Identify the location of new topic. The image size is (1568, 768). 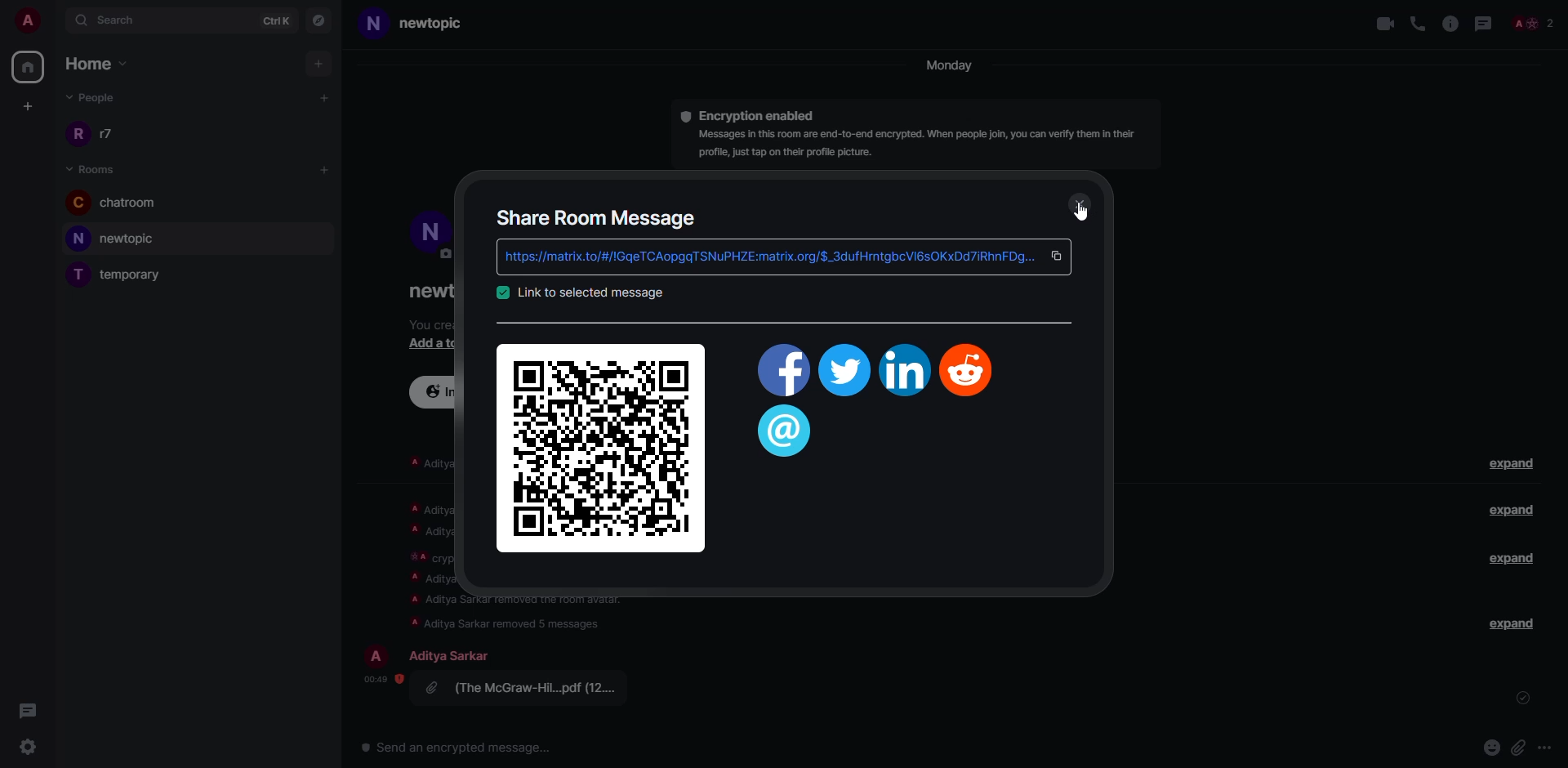
(121, 238).